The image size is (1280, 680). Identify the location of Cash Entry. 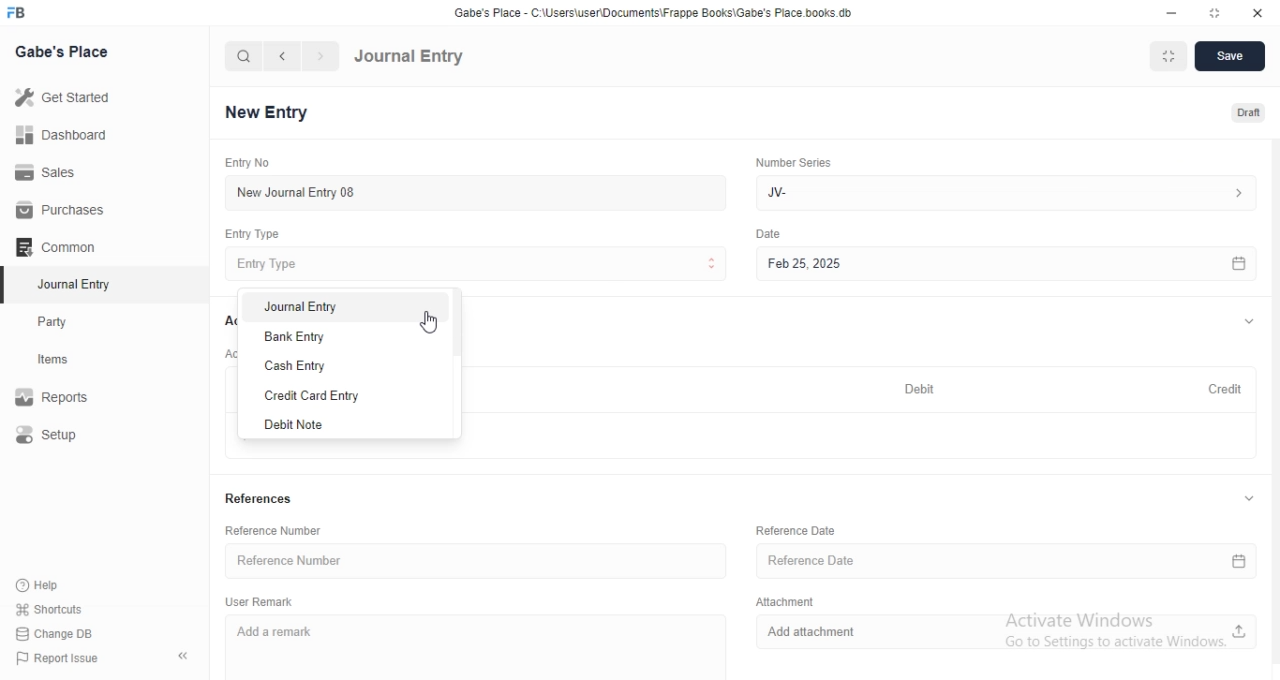
(344, 366).